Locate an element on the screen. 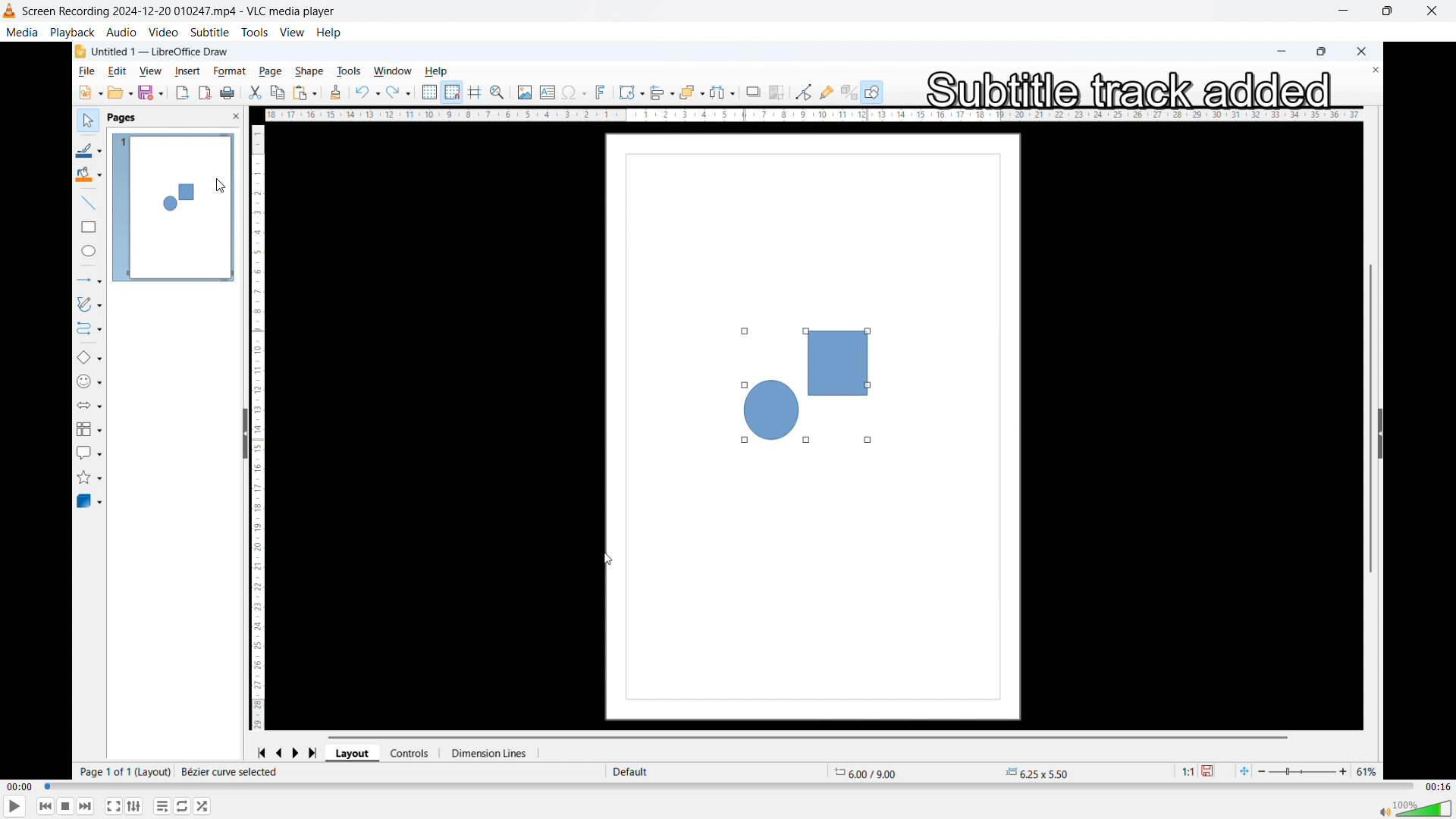 The image size is (1456, 819). view is located at coordinates (149, 71).